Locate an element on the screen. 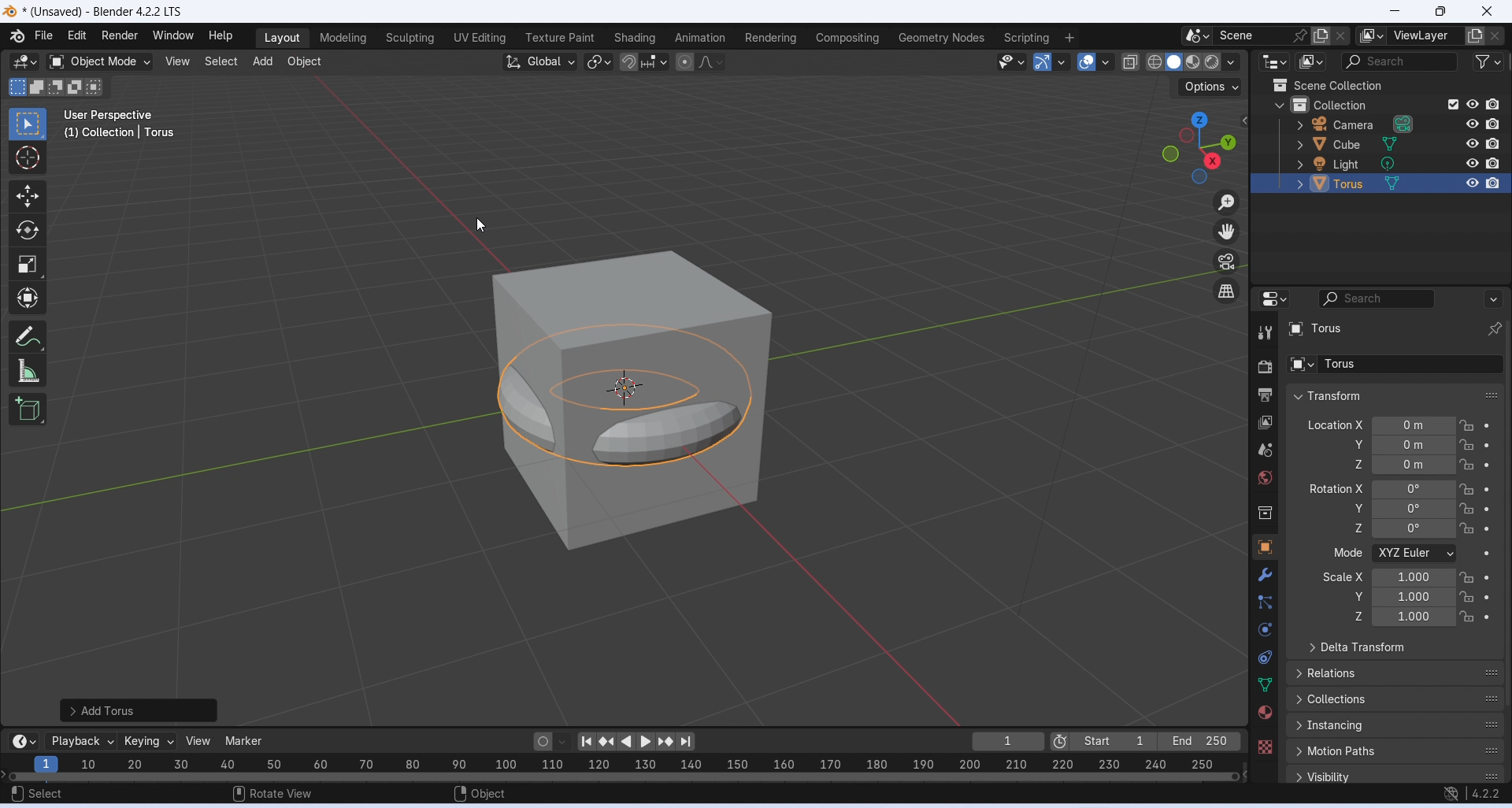  Close is located at coordinates (1489, 12).